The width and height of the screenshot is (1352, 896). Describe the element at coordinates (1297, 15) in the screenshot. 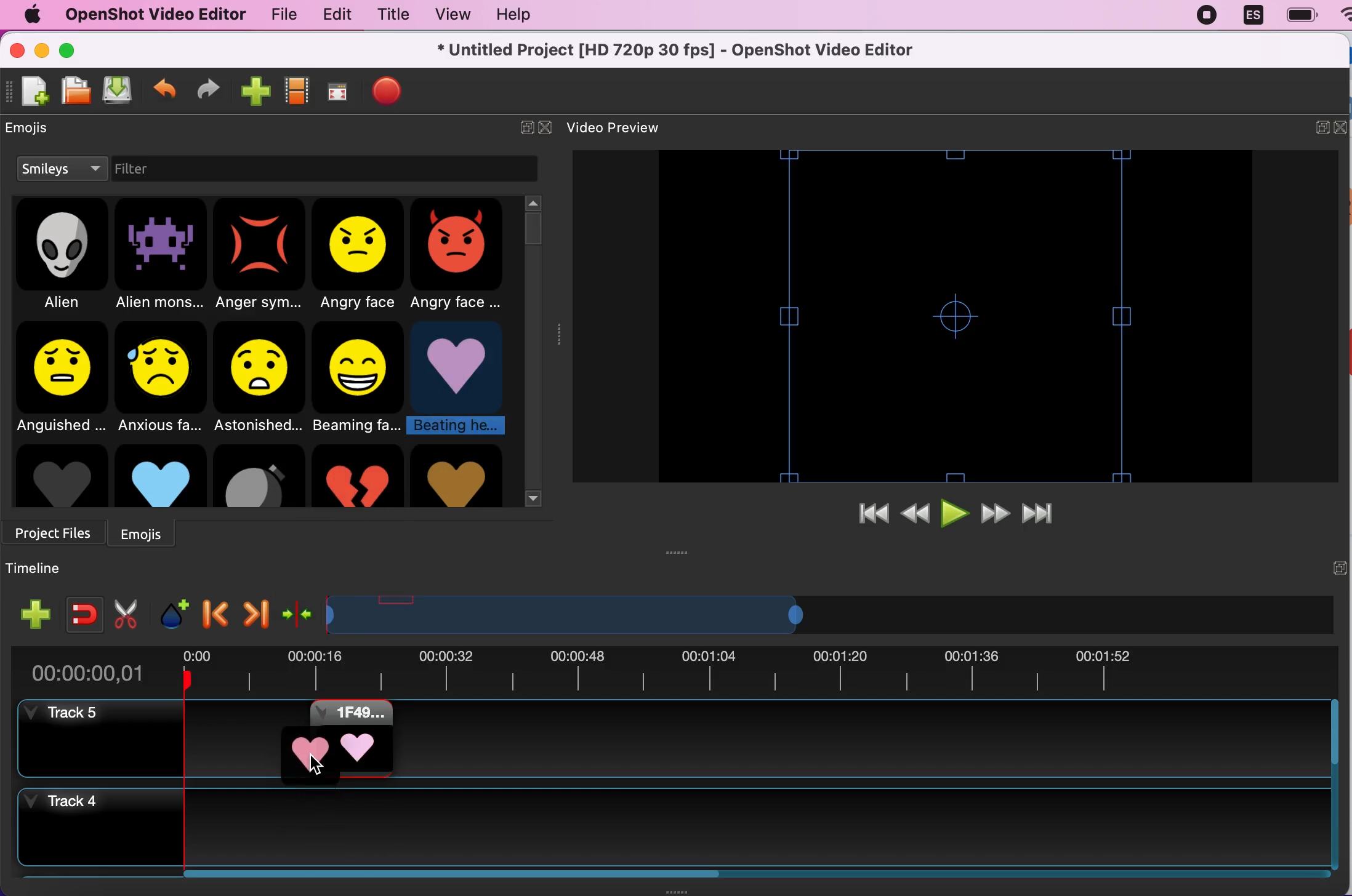

I see `battery` at that location.